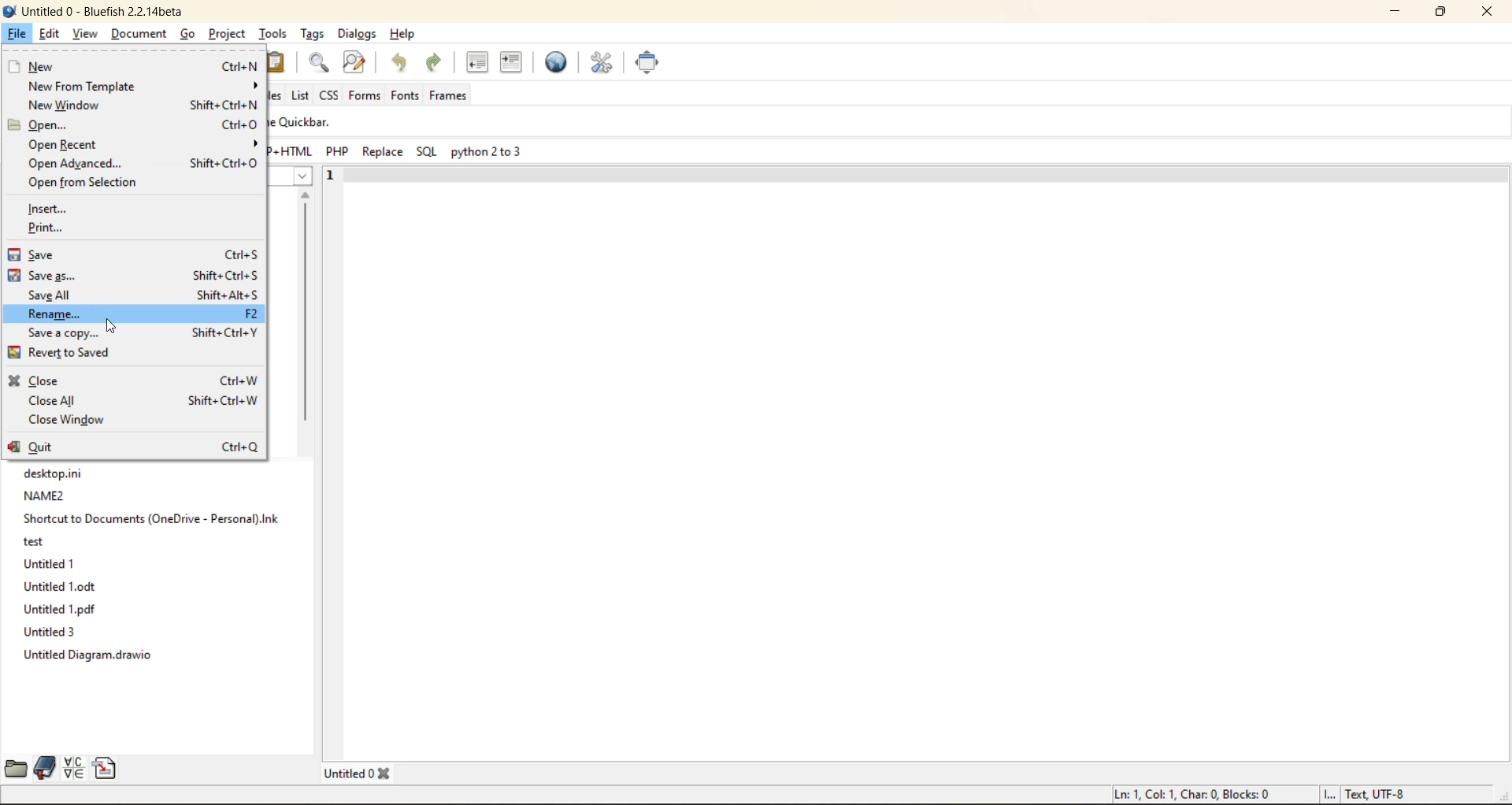  I want to click on shift+ ctrl + N, so click(228, 101).